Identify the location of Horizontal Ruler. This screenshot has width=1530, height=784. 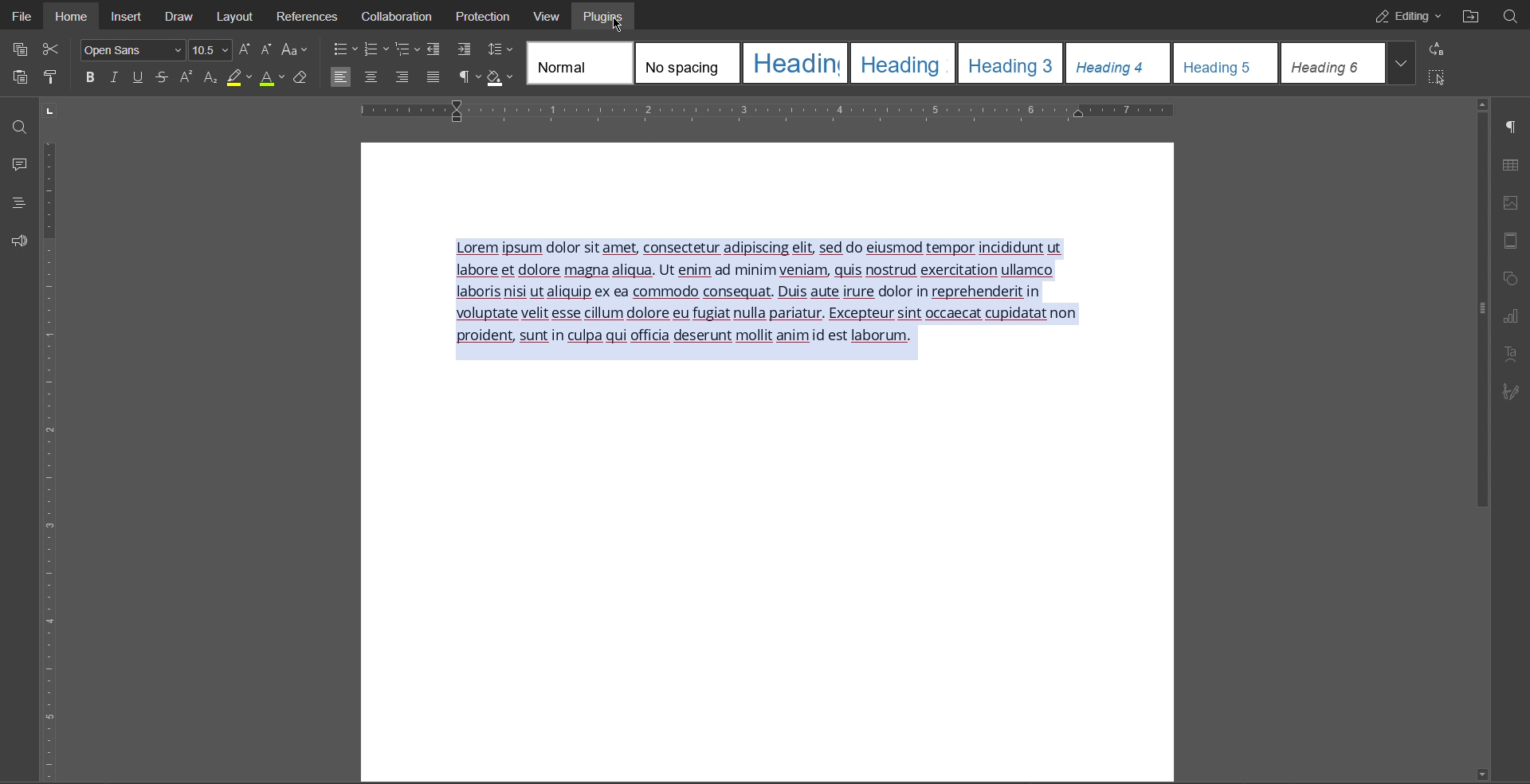
(772, 110).